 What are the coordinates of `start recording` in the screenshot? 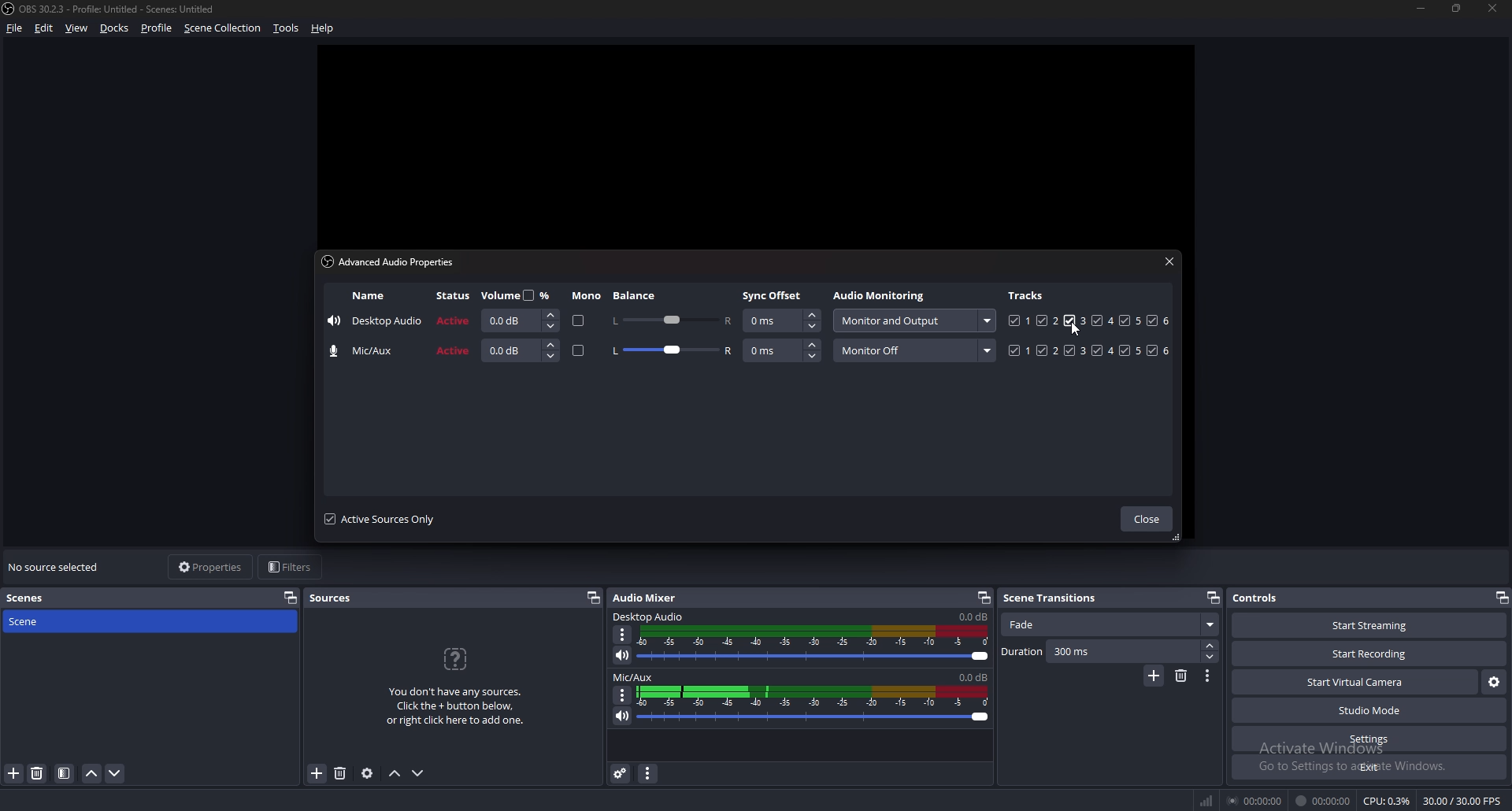 It's located at (1371, 654).